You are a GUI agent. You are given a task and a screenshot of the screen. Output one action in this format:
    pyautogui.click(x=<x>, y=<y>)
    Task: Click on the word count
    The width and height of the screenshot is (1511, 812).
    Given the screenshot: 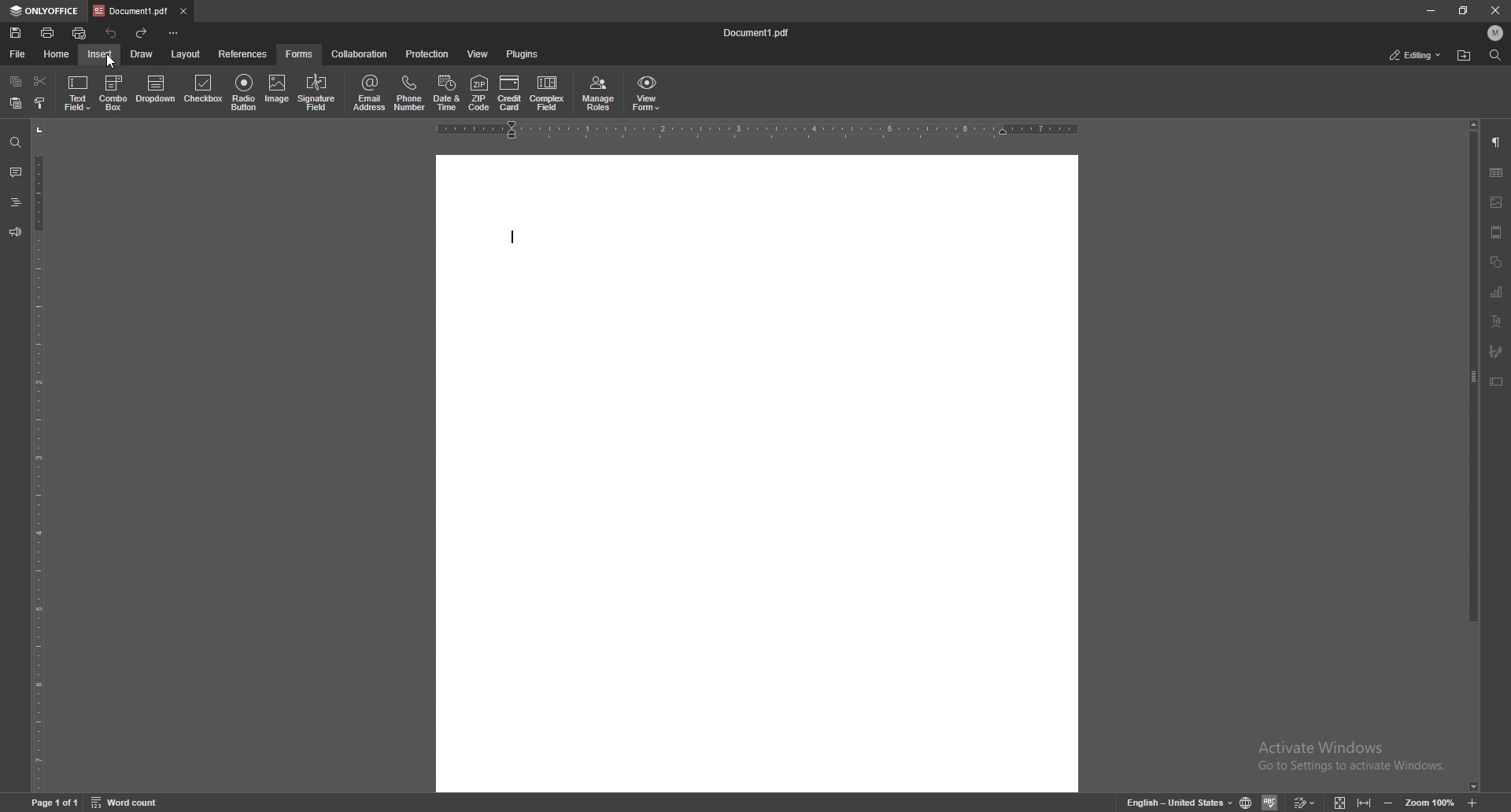 What is the action you would take?
    pyautogui.click(x=124, y=803)
    